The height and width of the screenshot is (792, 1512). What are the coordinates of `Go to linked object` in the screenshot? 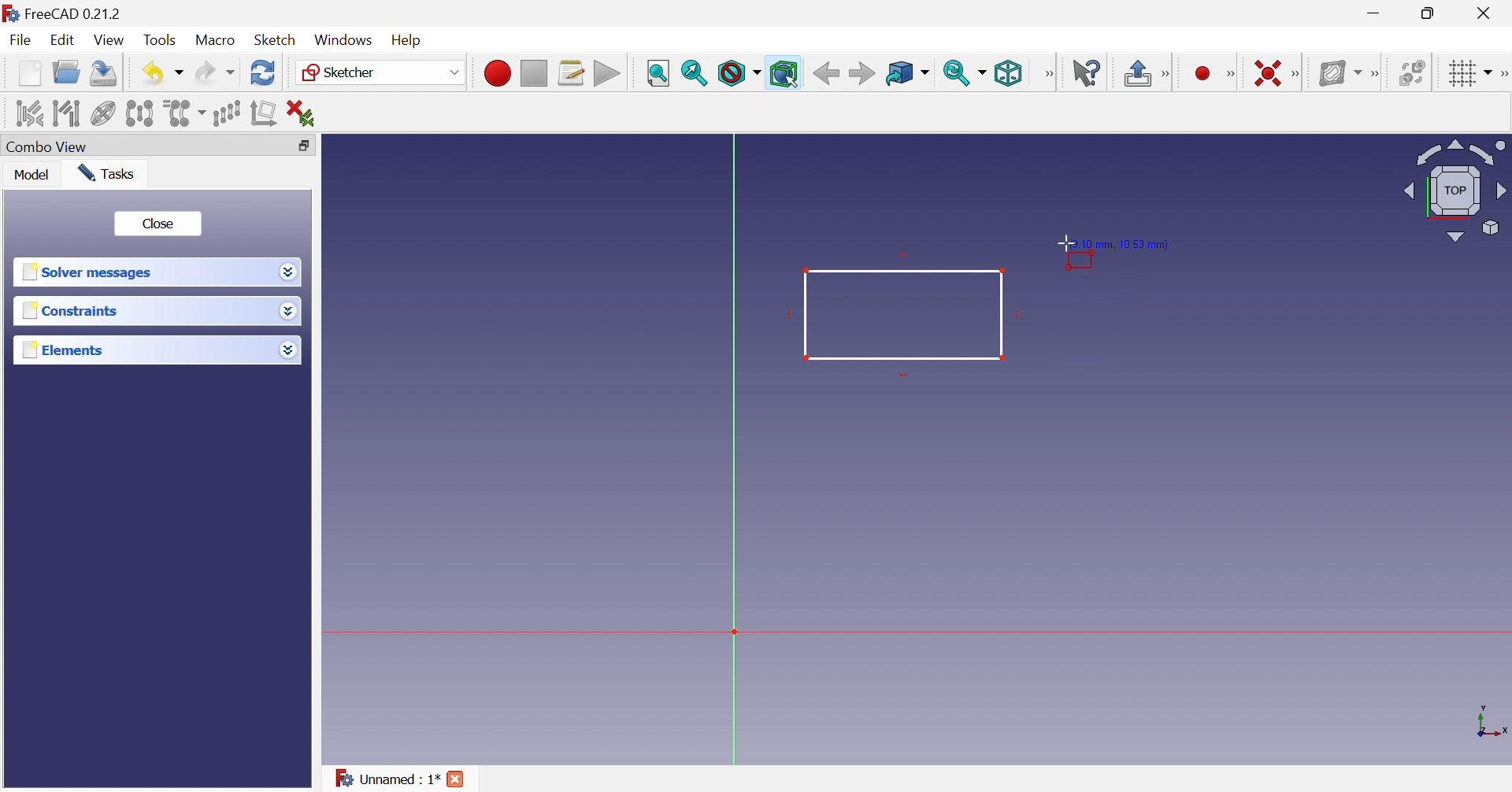 It's located at (906, 74).